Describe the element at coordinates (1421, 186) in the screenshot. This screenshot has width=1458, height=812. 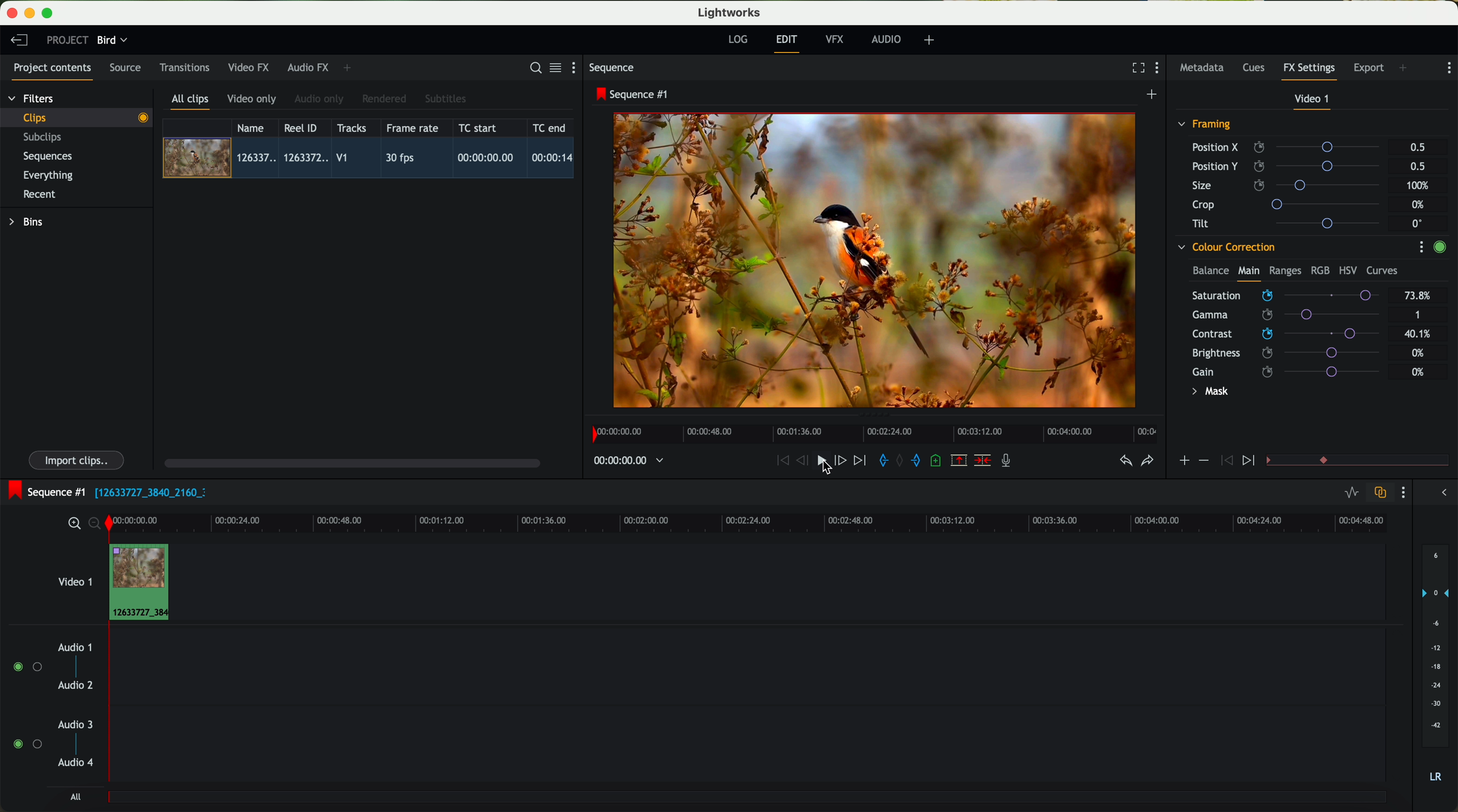
I see `100%` at that location.